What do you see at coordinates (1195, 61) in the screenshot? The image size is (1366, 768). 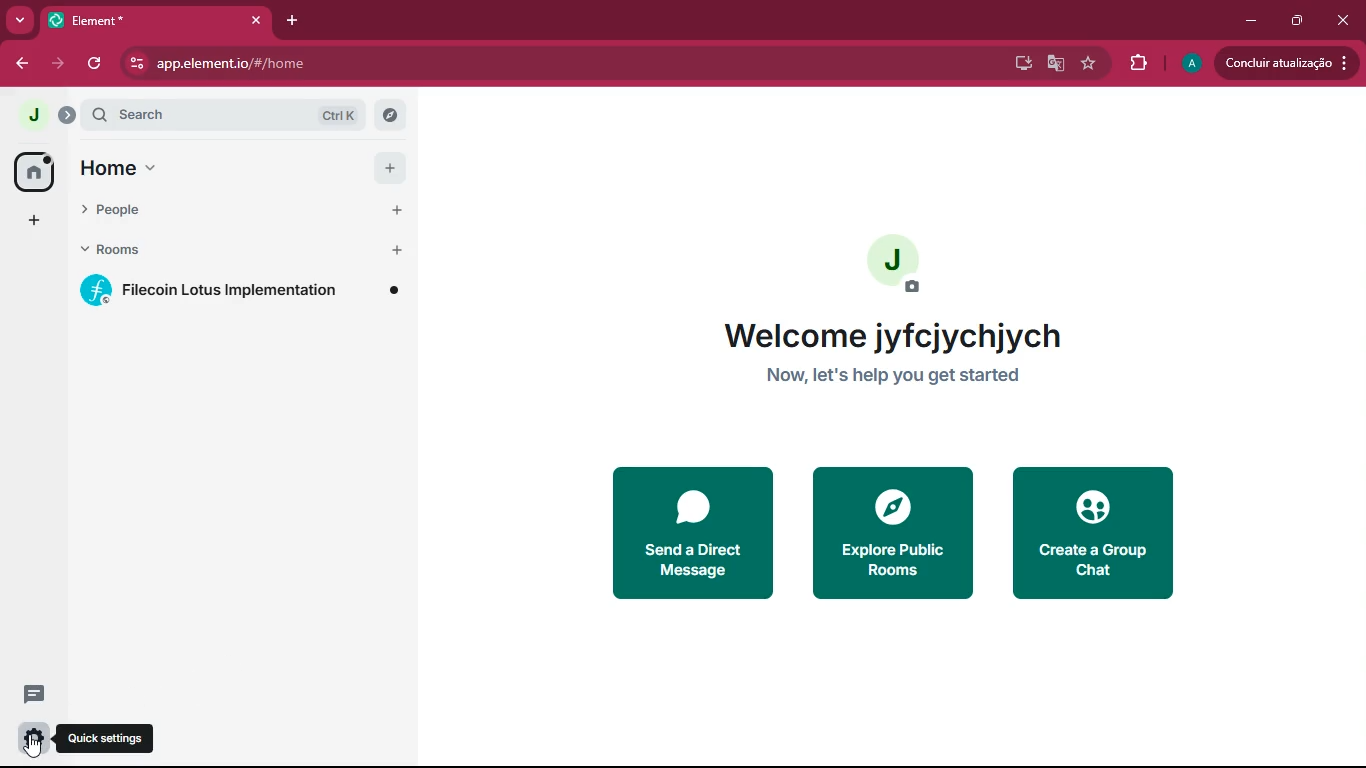 I see `profile picture` at bounding box center [1195, 61].